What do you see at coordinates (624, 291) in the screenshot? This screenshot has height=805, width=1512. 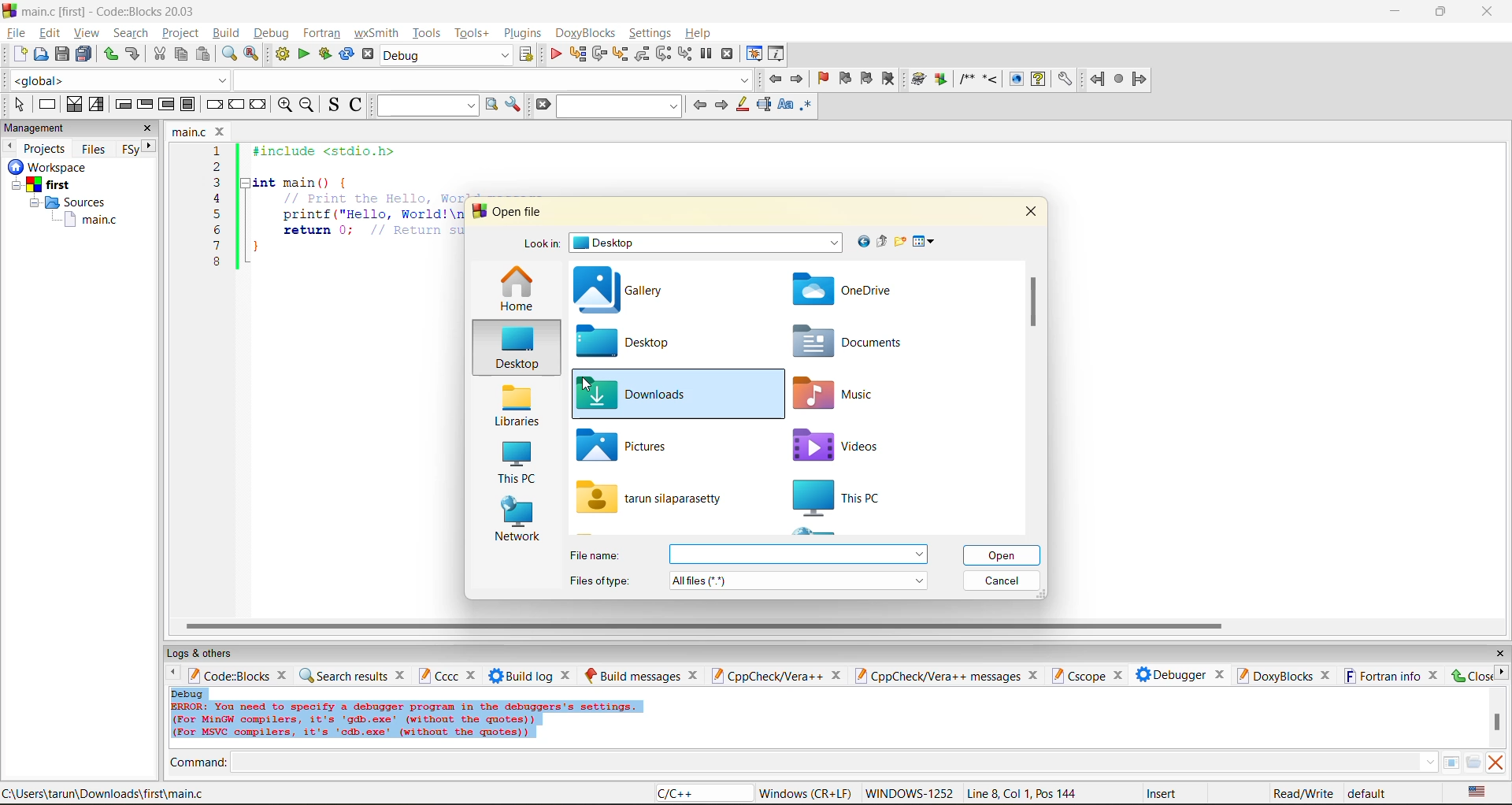 I see `gallery` at bounding box center [624, 291].